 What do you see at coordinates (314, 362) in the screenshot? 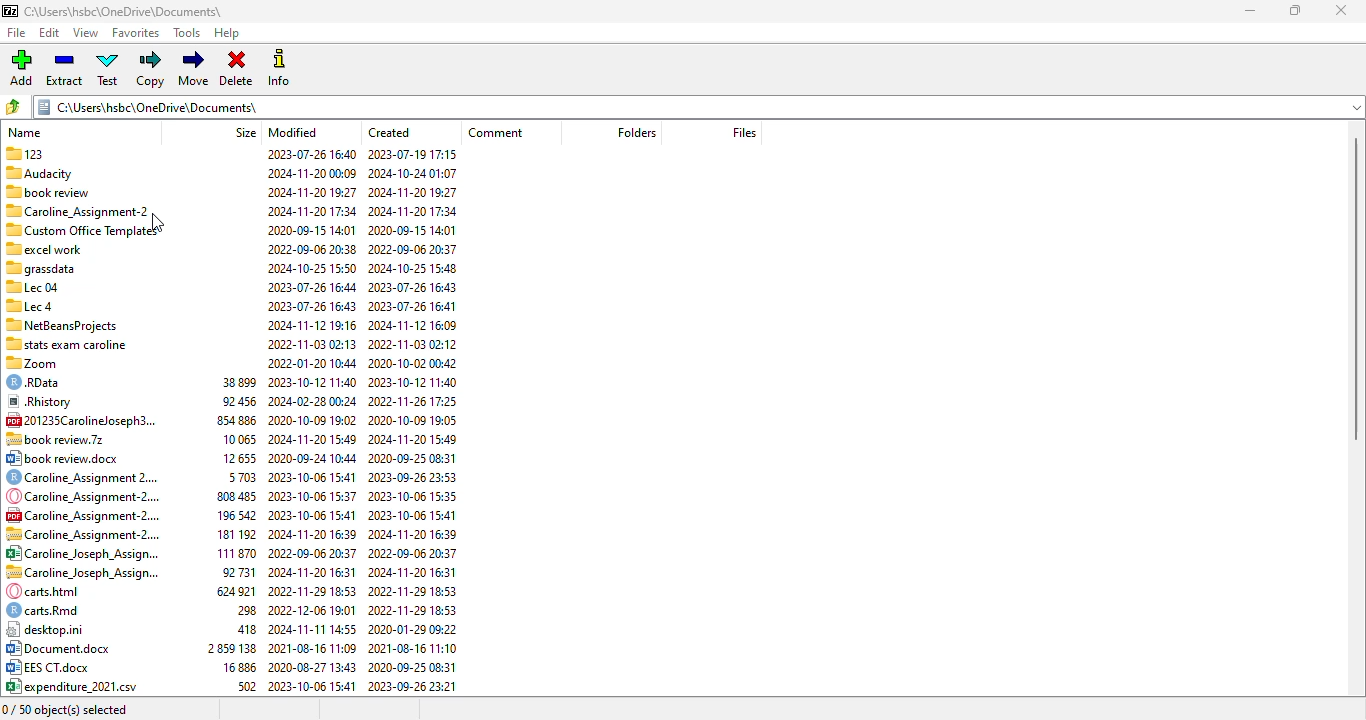
I see `2022-01-20 10:44` at bounding box center [314, 362].